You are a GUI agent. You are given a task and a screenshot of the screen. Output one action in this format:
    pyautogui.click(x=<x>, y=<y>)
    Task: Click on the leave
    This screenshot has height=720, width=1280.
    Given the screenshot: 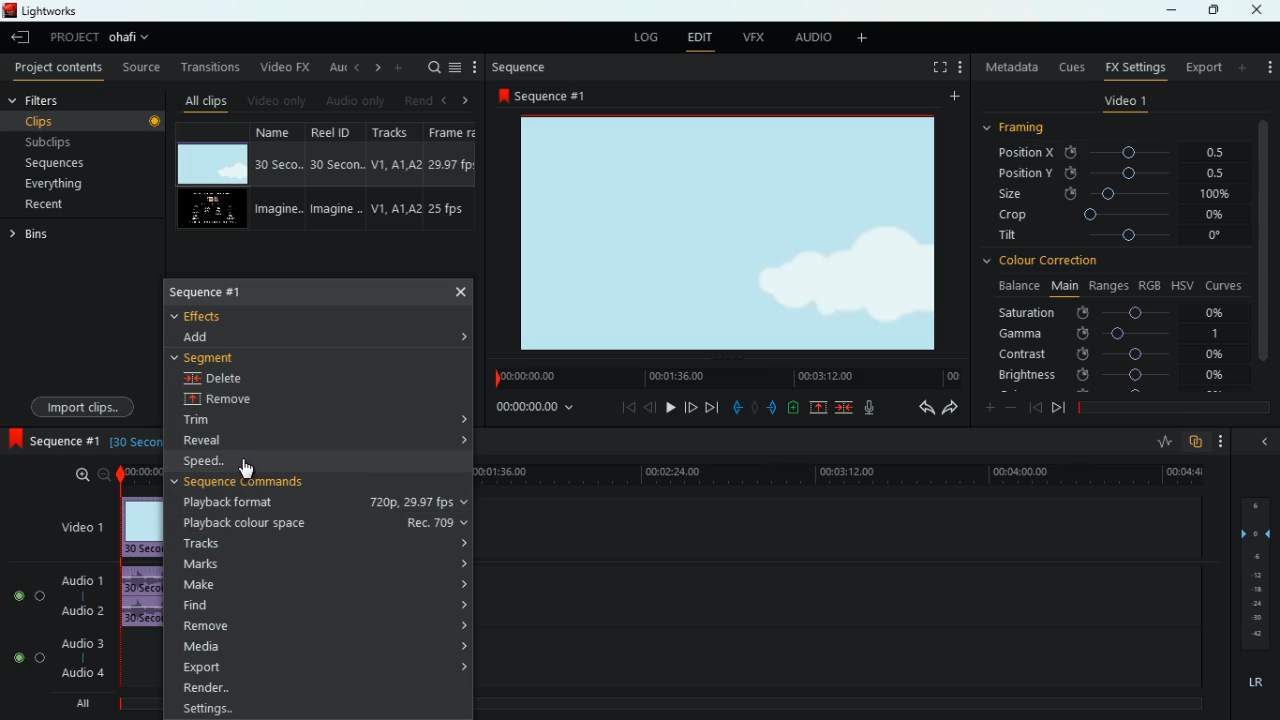 What is the action you would take?
    pyautogui.click(x=20, y=37)
    